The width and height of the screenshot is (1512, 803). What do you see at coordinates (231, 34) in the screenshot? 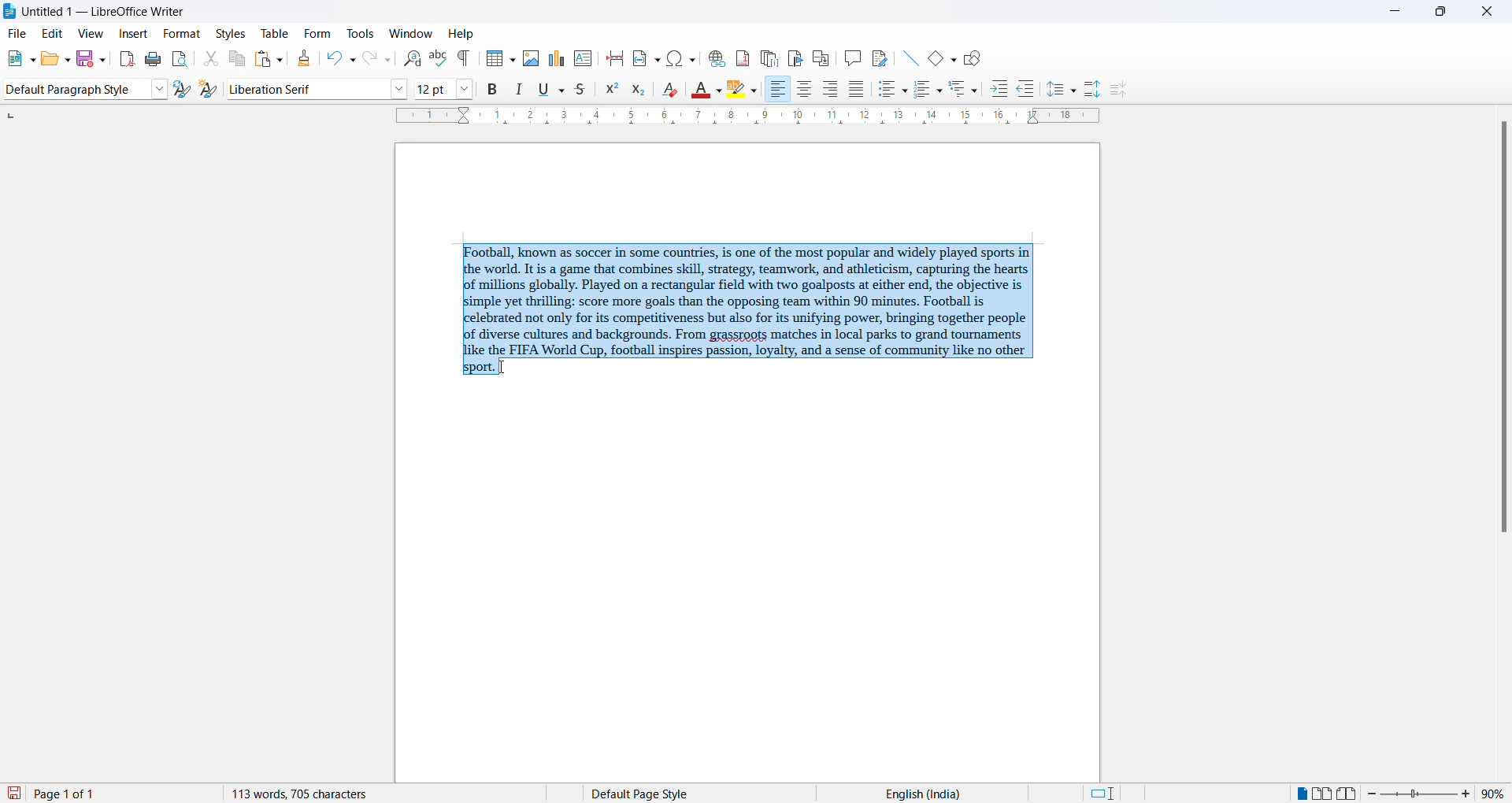
I see `styles` at bounding box center [231, 34].